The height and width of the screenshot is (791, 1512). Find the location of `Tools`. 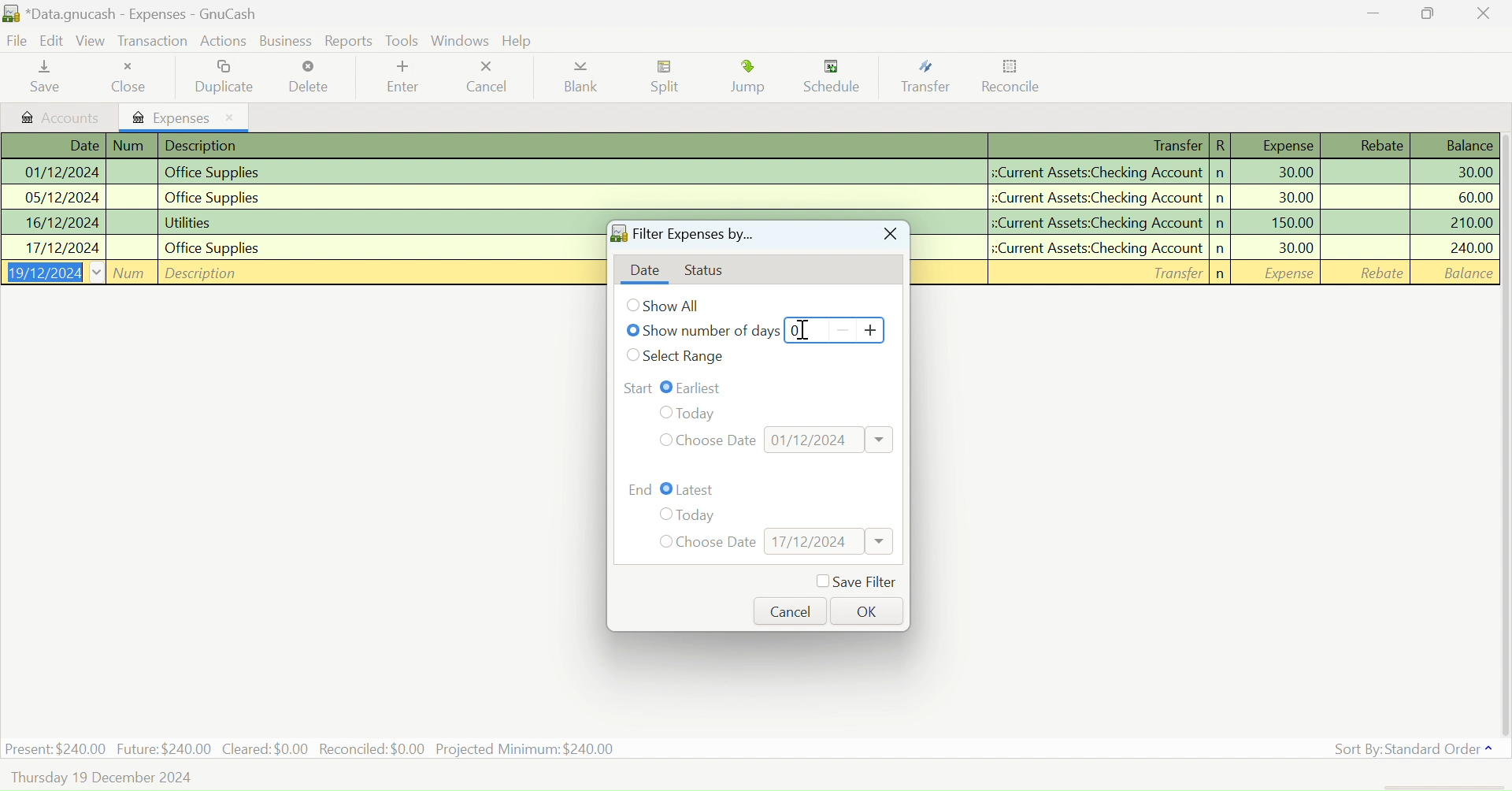

Tools is located at coordinates (402, 39).